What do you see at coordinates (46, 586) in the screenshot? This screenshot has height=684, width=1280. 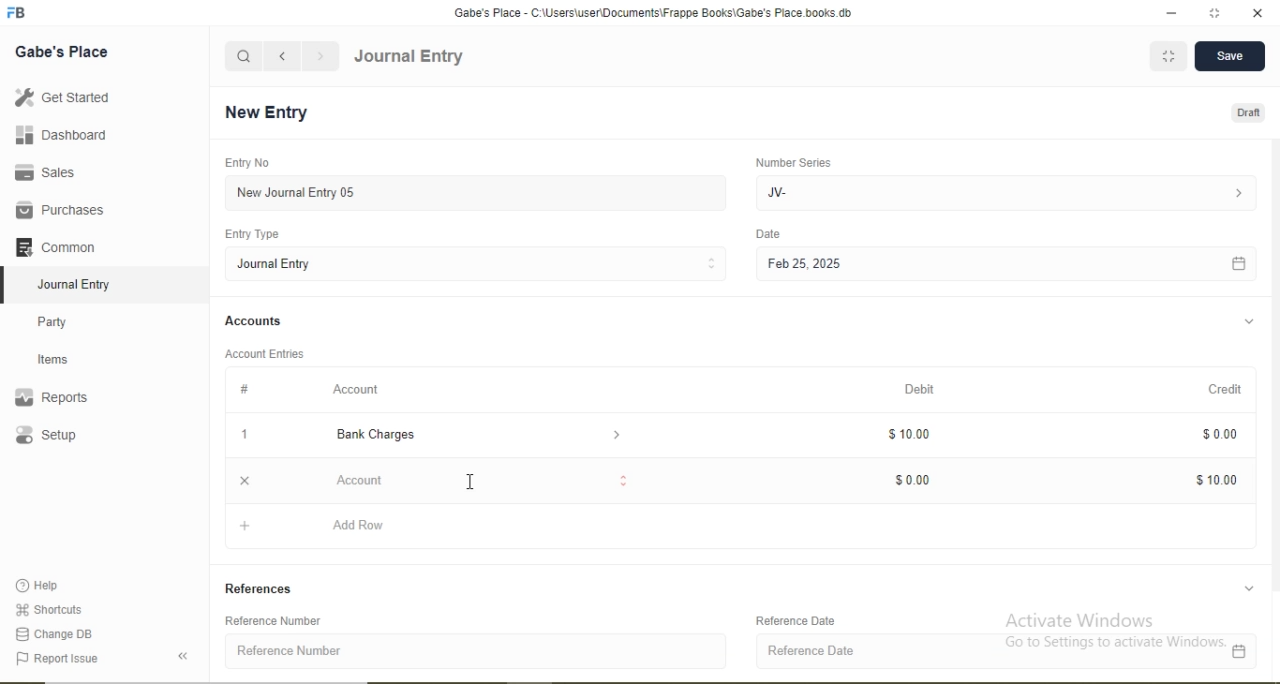 I see `Help` at bounding box center [46, 586].